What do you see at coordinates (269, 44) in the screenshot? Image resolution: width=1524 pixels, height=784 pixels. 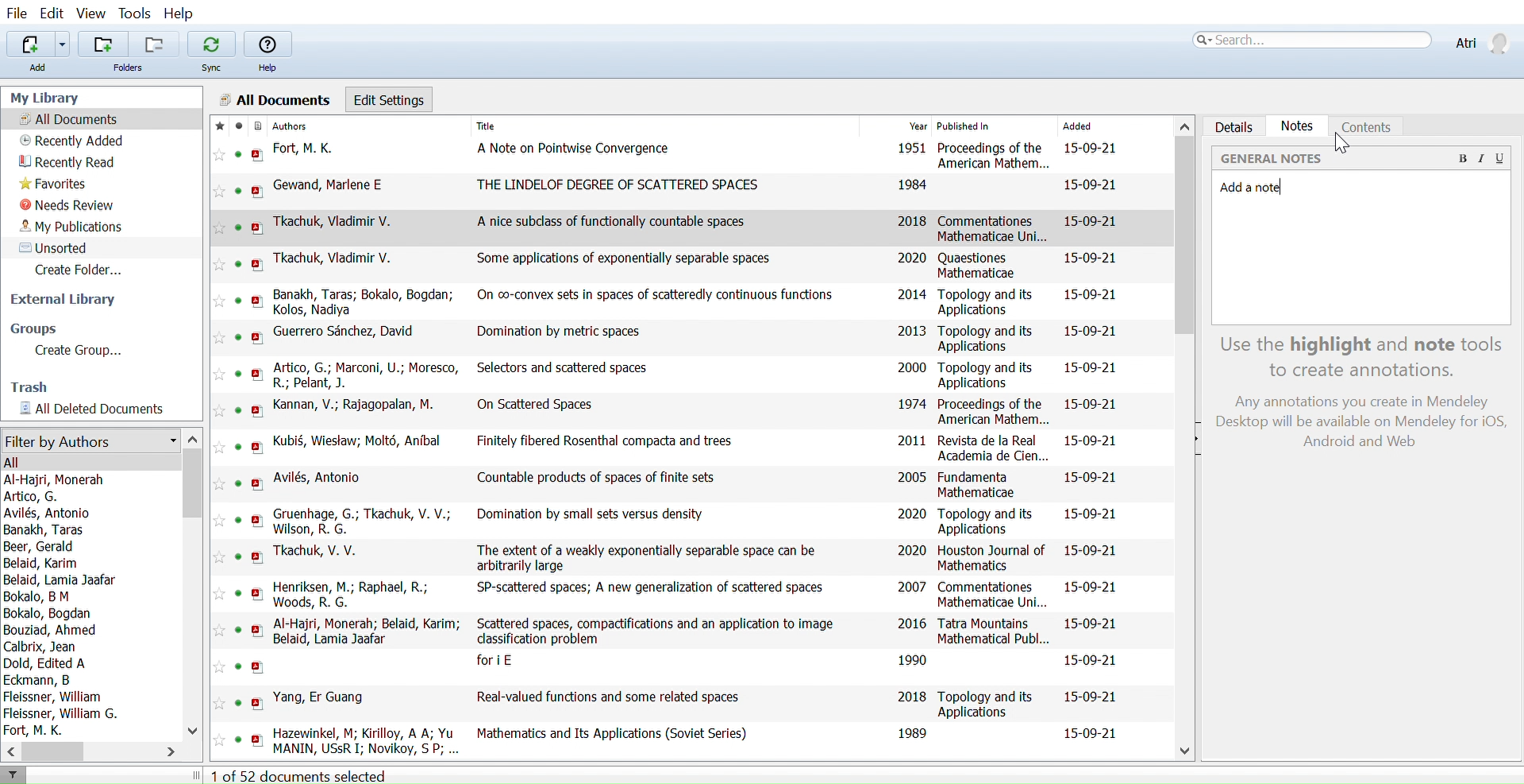 I see `Help` at bounding box center [269, 44].